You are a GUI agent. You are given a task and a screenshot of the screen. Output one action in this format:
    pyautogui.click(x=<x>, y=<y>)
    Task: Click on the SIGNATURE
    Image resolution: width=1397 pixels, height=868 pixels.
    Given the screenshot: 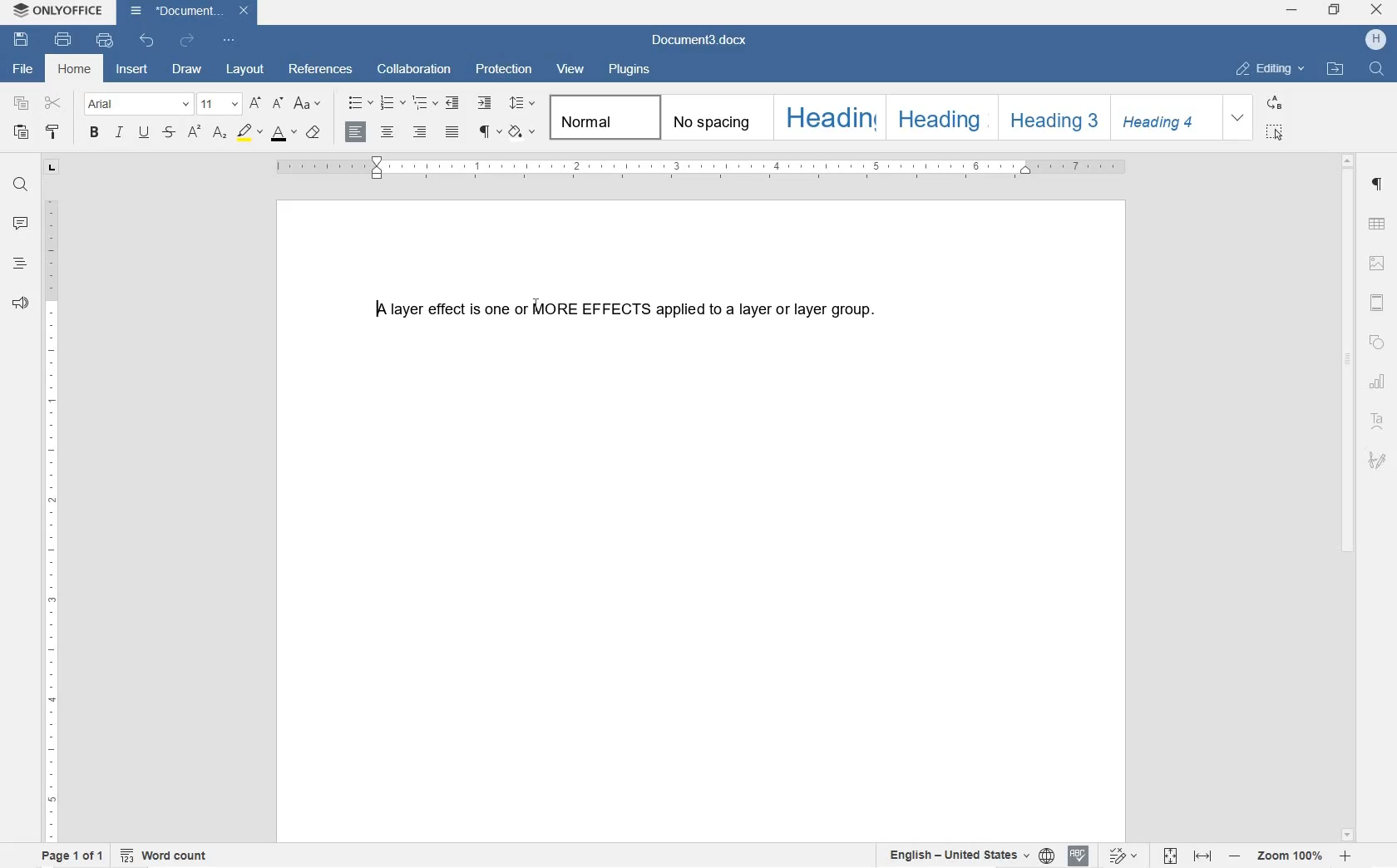 What is the action you would take?
    pyautogui.click(x=1378, y=458)
    